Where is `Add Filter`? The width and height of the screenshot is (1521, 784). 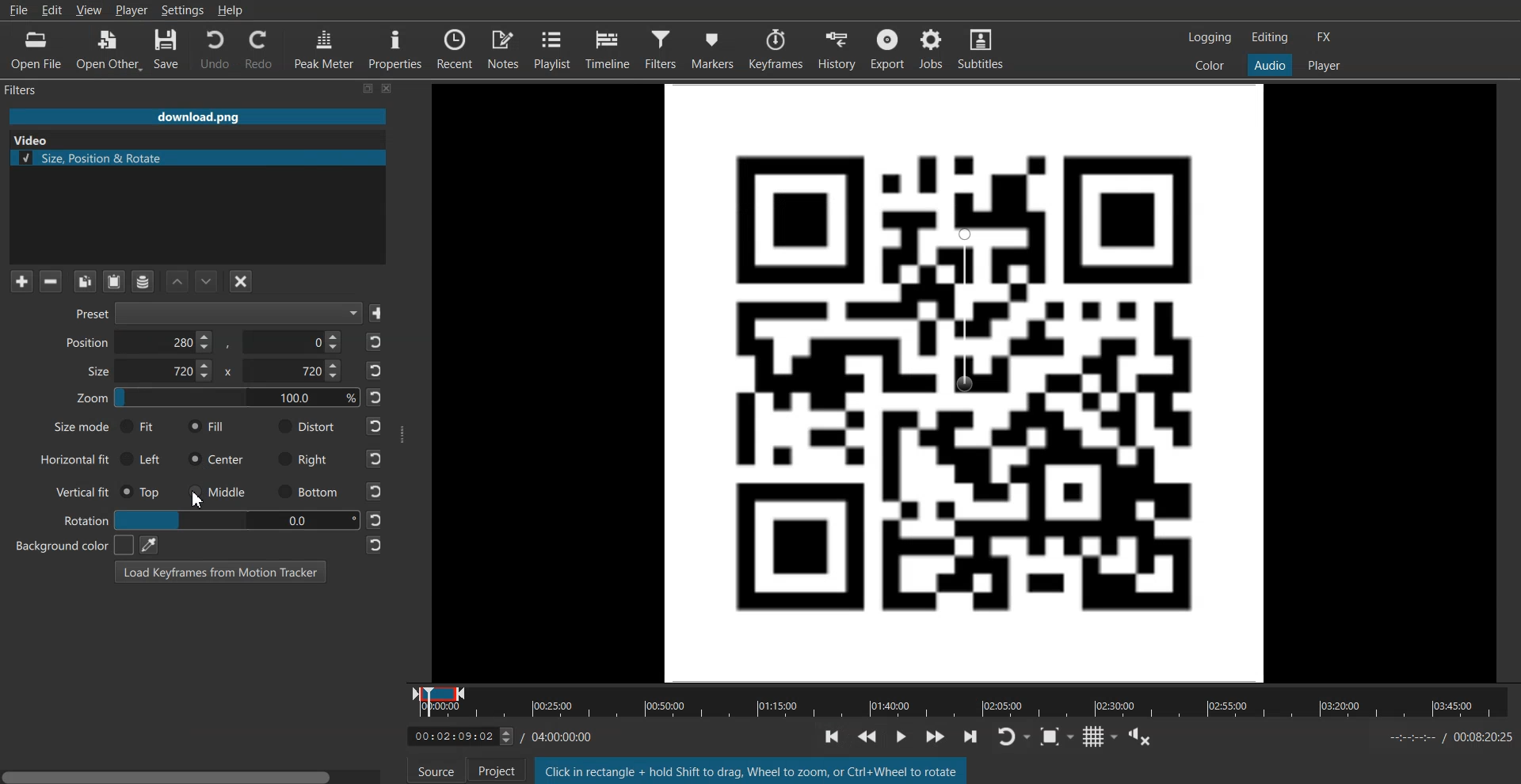 Add Filter is located at coordinates (21, 281).